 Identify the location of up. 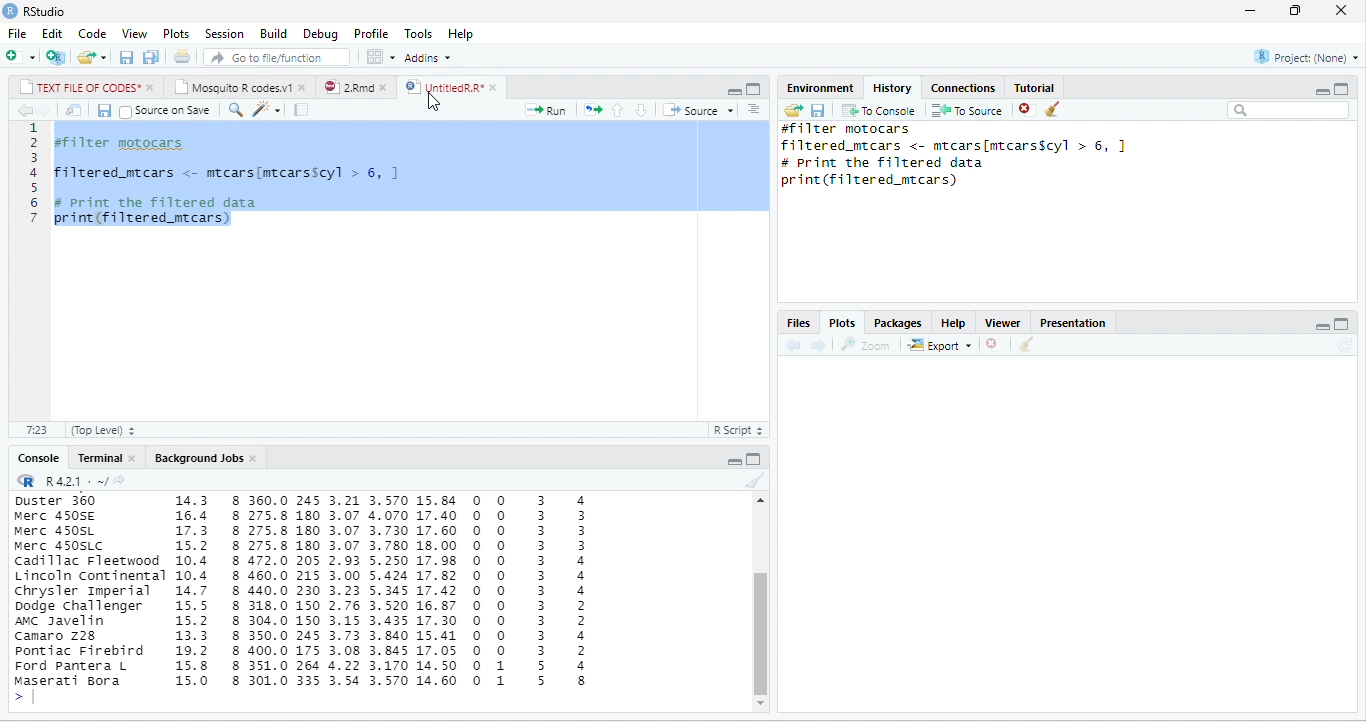
(618, 111).